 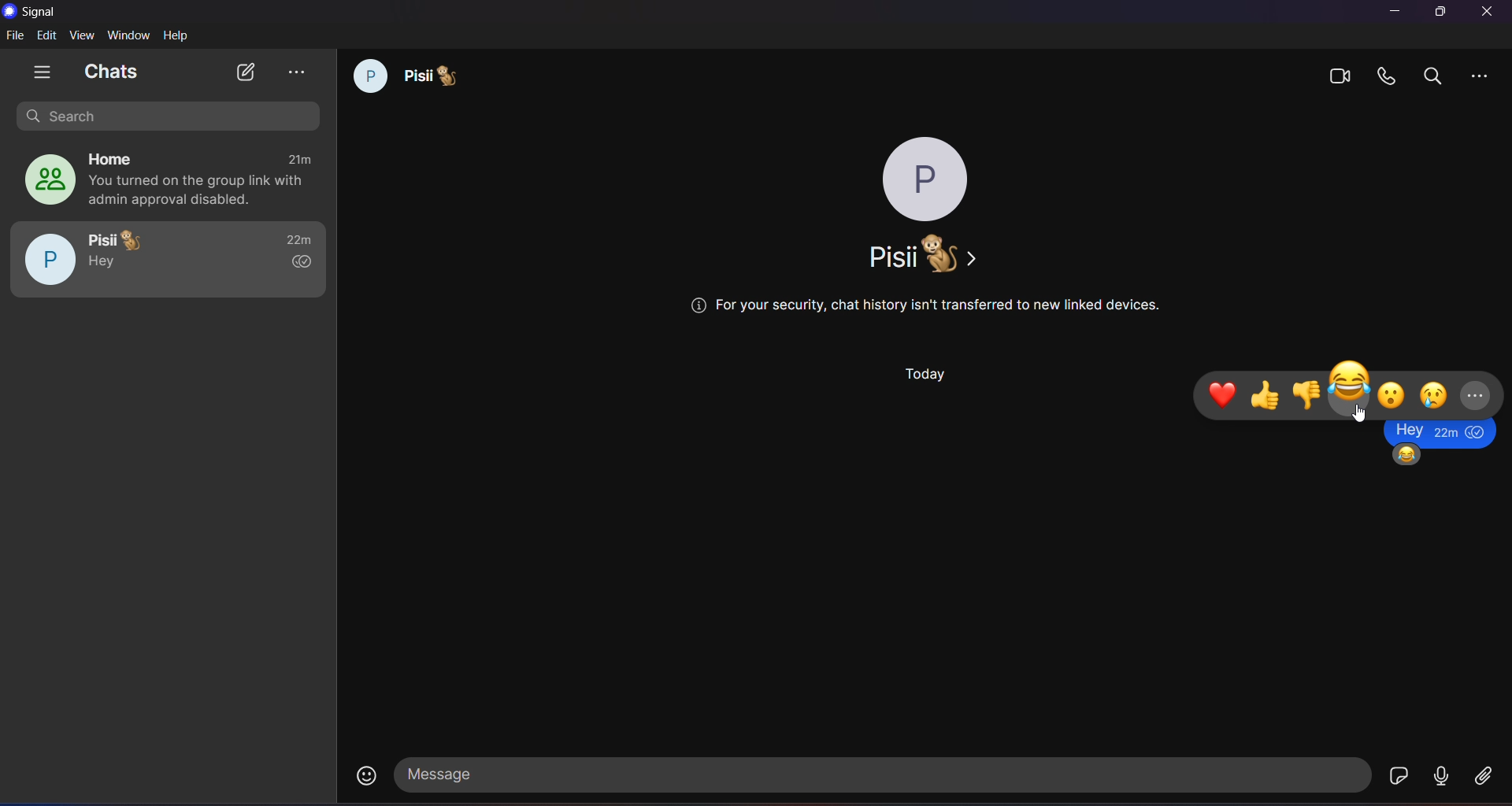 What do you see at coordinates (1347, 391) in the screenshot?
I see `emoji tab` at bounding box center [1347, 391].